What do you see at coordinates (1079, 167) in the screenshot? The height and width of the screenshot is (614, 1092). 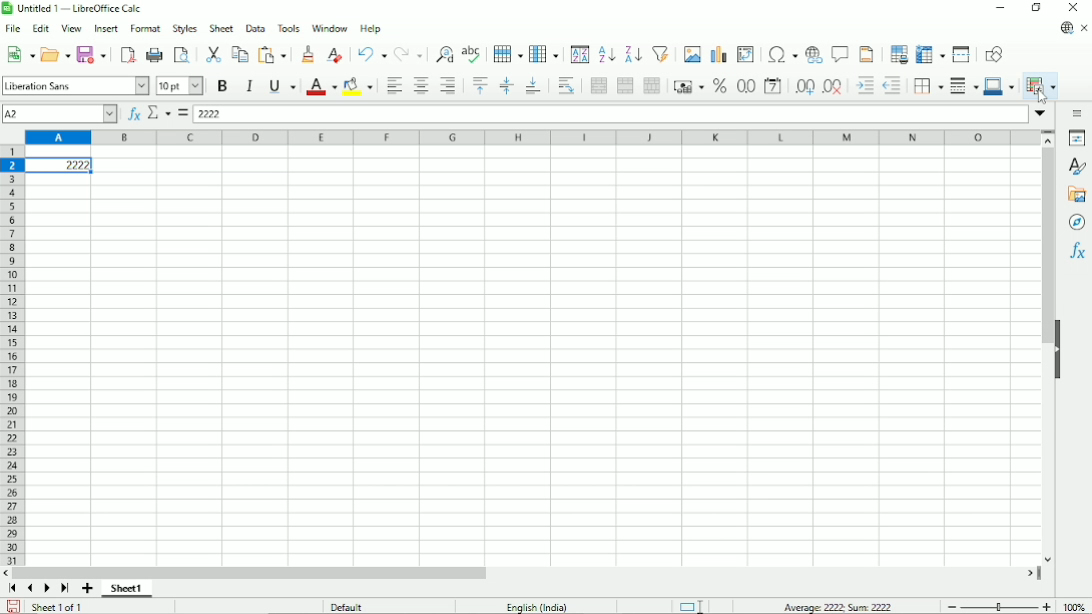 I see `Styles` at bounding box center [1079, 167].